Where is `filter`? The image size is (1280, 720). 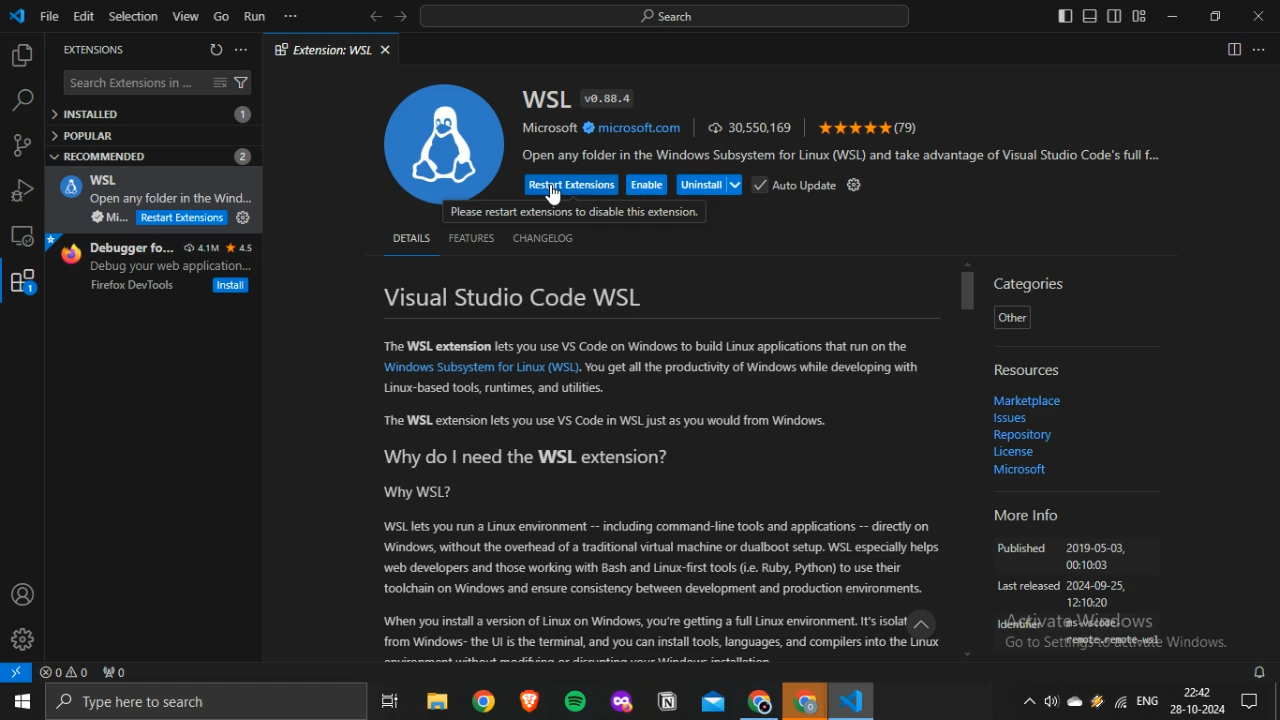 filter is located at coordinates (242, 83).